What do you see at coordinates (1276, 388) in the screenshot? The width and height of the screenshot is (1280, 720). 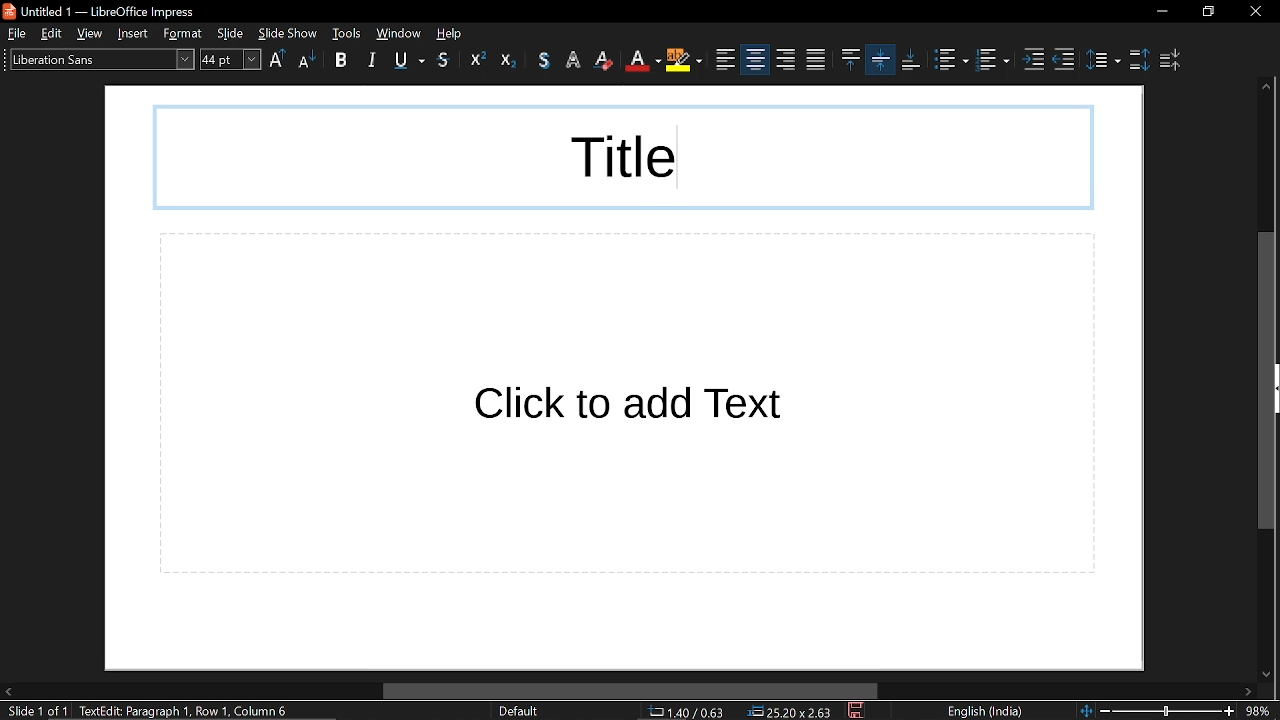 I see `expand sidebar` at bounding box center [1276, 388].